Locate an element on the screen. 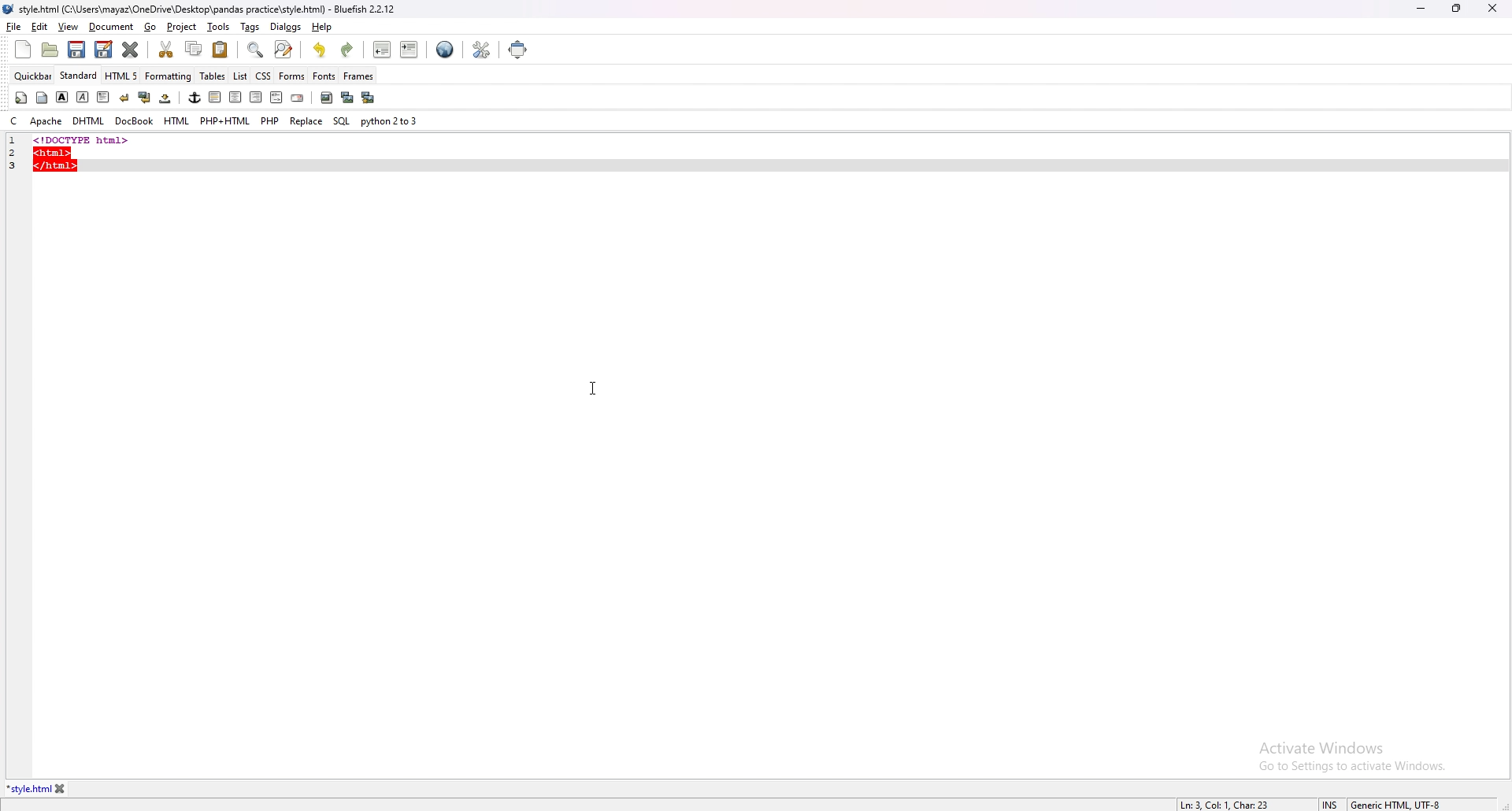 The width and height of the screenshot is (1512, 811). standard is located at coordinates (80, 76).